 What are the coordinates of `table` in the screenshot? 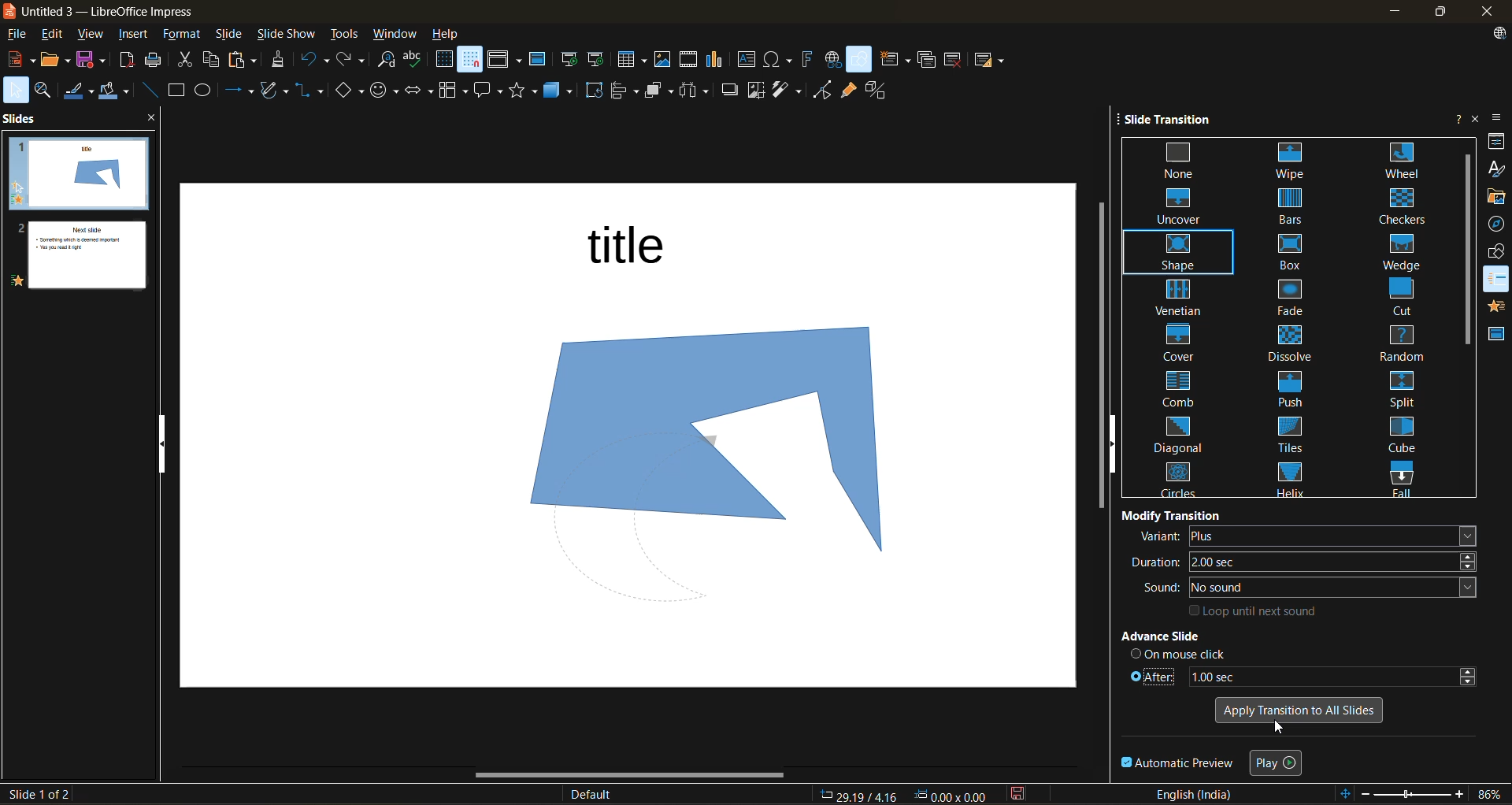 It's located at (634, 61).